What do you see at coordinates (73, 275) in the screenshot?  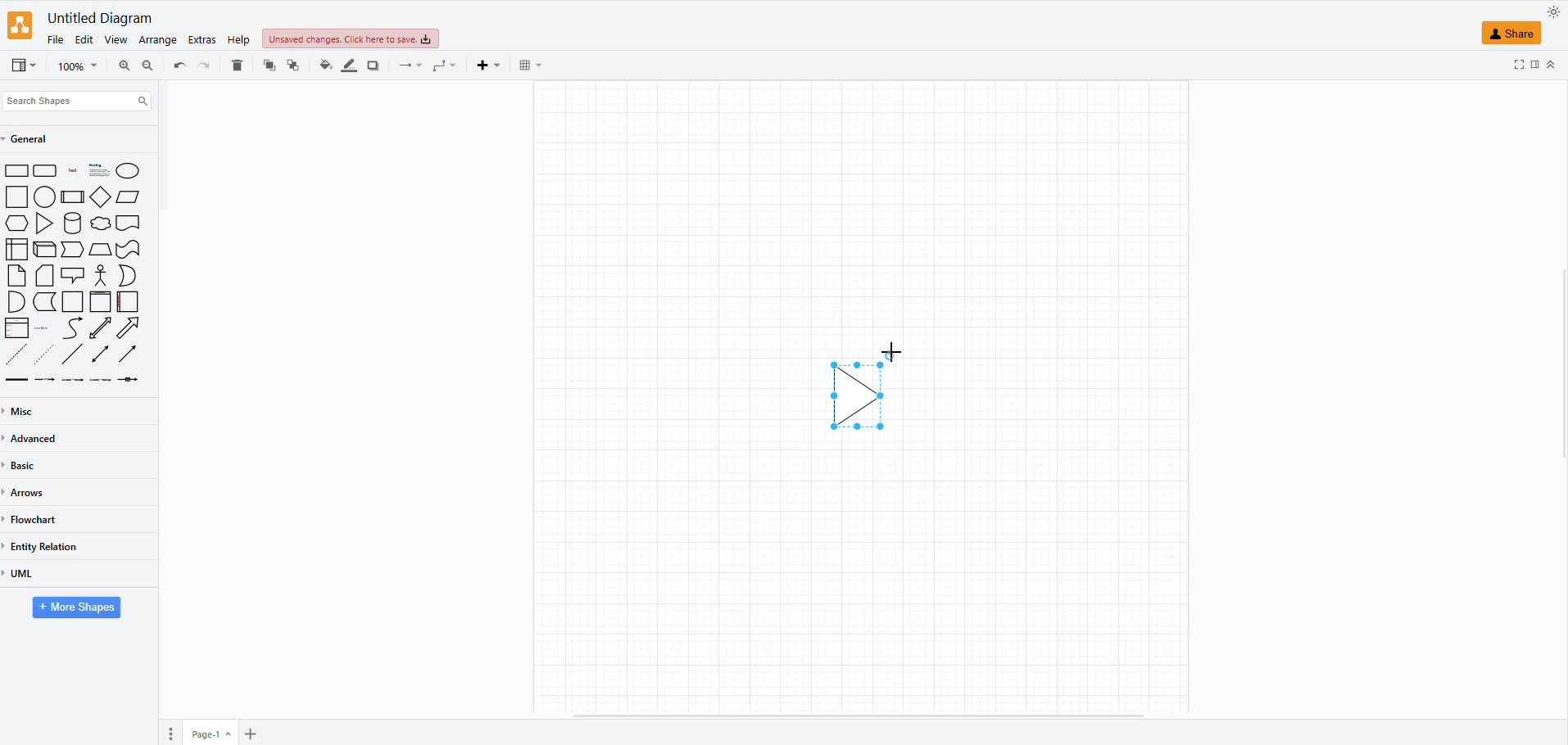 I see `Chat Icon` at bounding box center [73, 275].